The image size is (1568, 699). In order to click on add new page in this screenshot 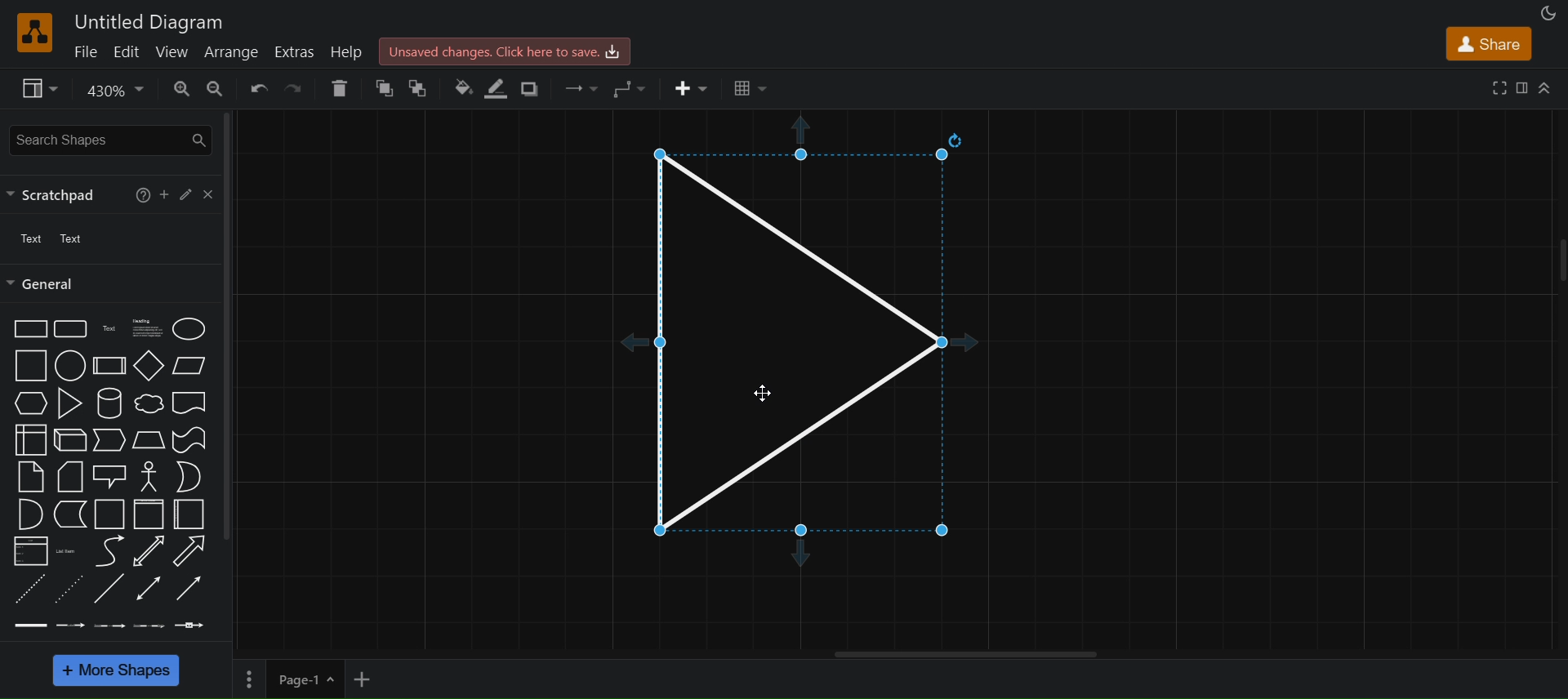, I will do `click(375, 678)`.